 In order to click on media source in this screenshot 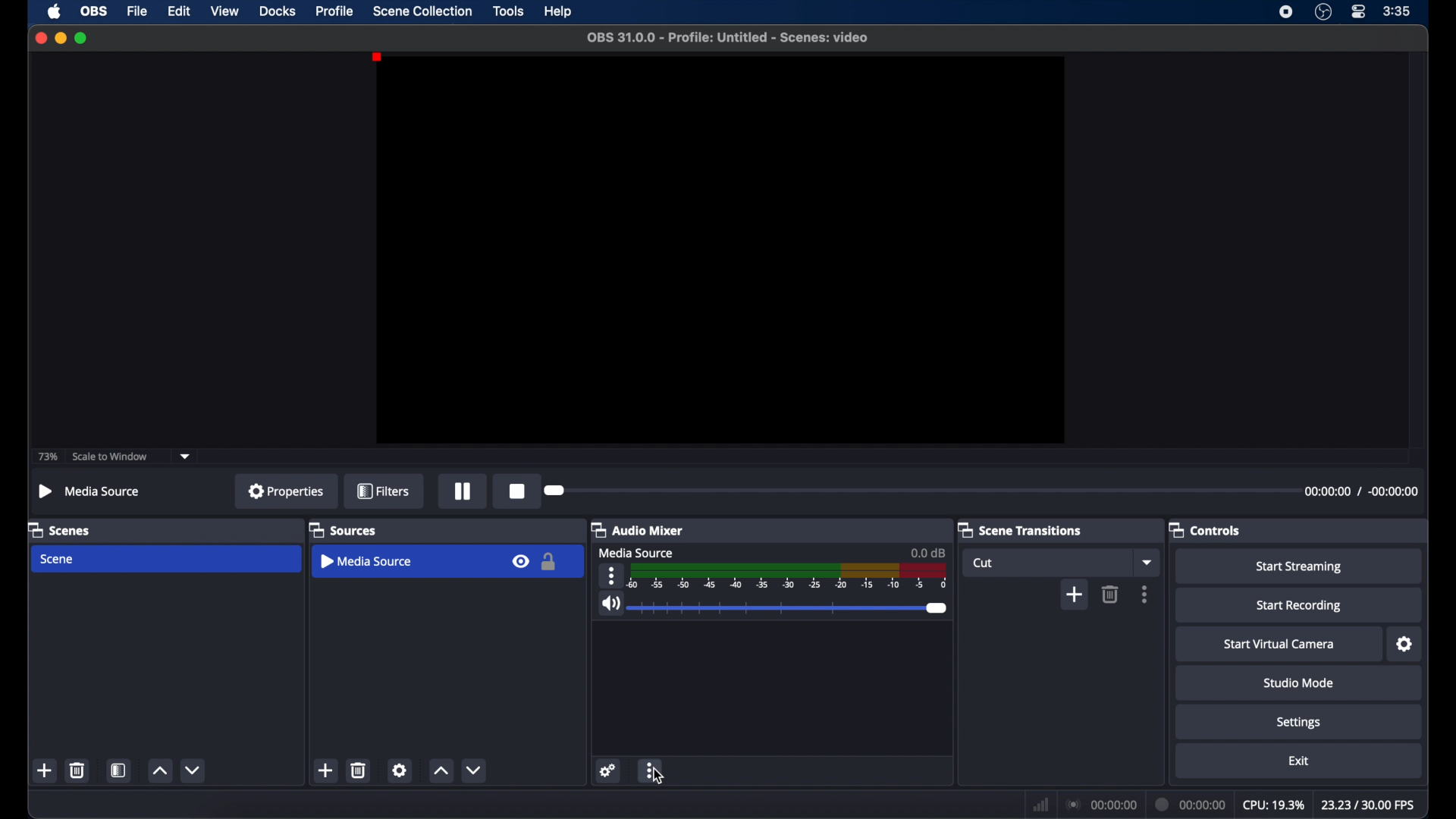, I will do `click(368, 560)`.